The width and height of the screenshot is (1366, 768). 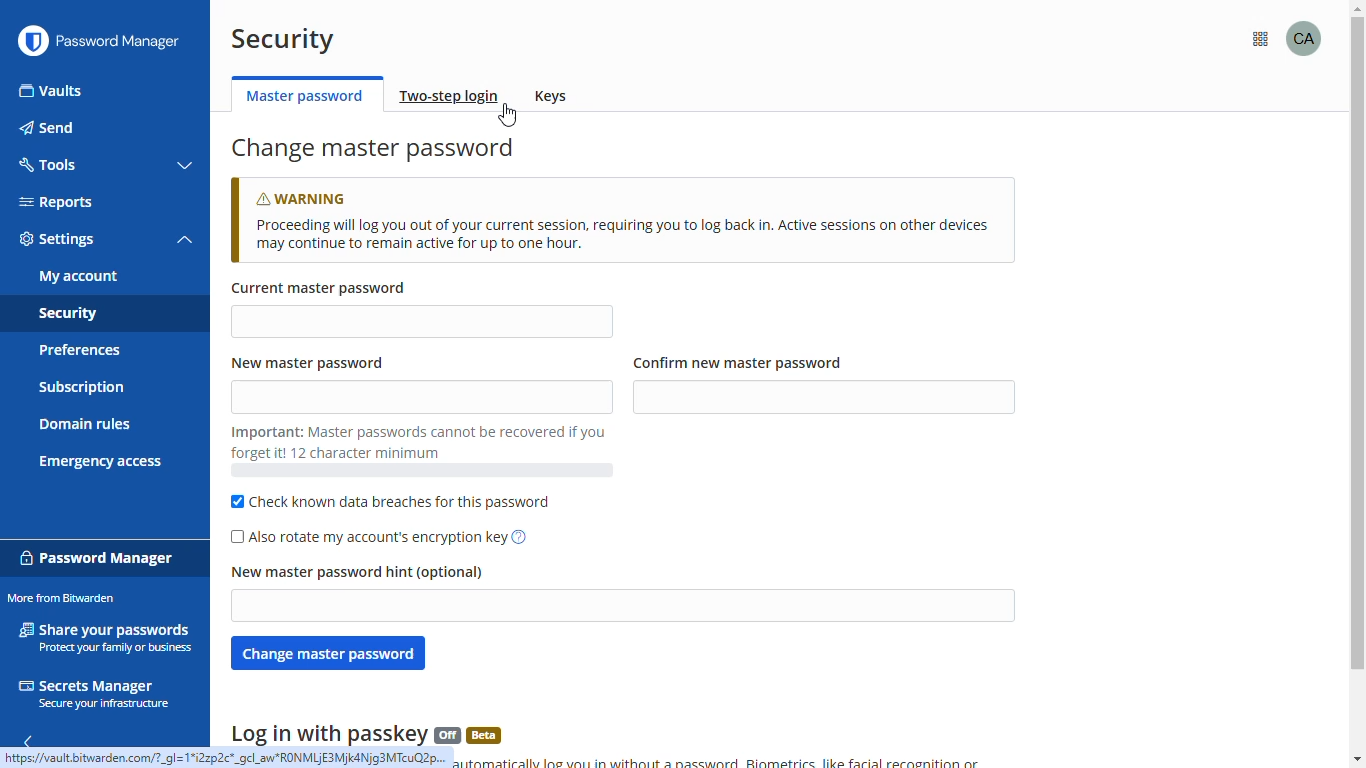 What do you see at coordinates (56, 202) in the screenshot?
I see `reports` at bounding box center [56, 202].